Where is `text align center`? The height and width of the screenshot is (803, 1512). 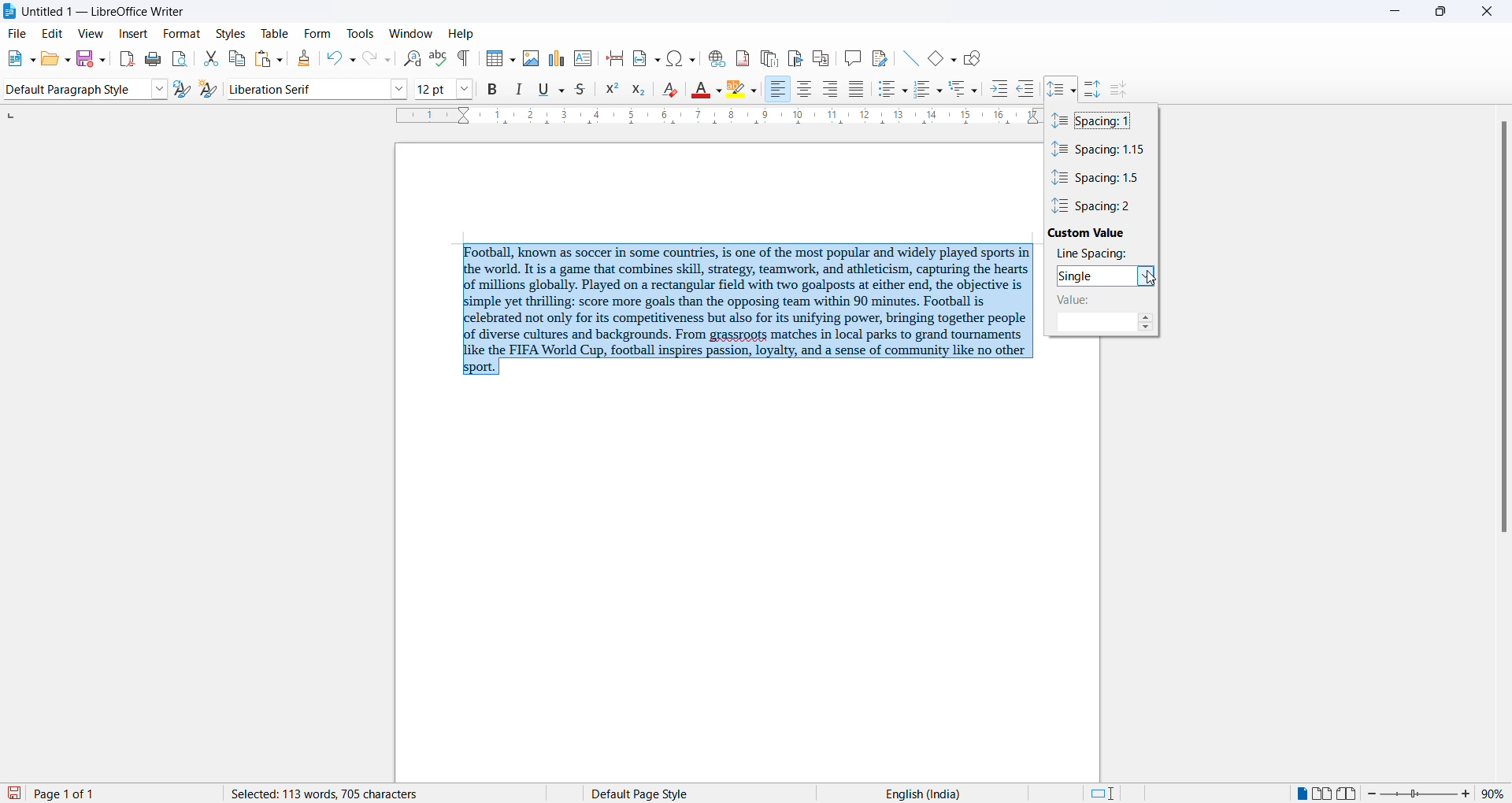 text align center is located at coordinates (831, 90).